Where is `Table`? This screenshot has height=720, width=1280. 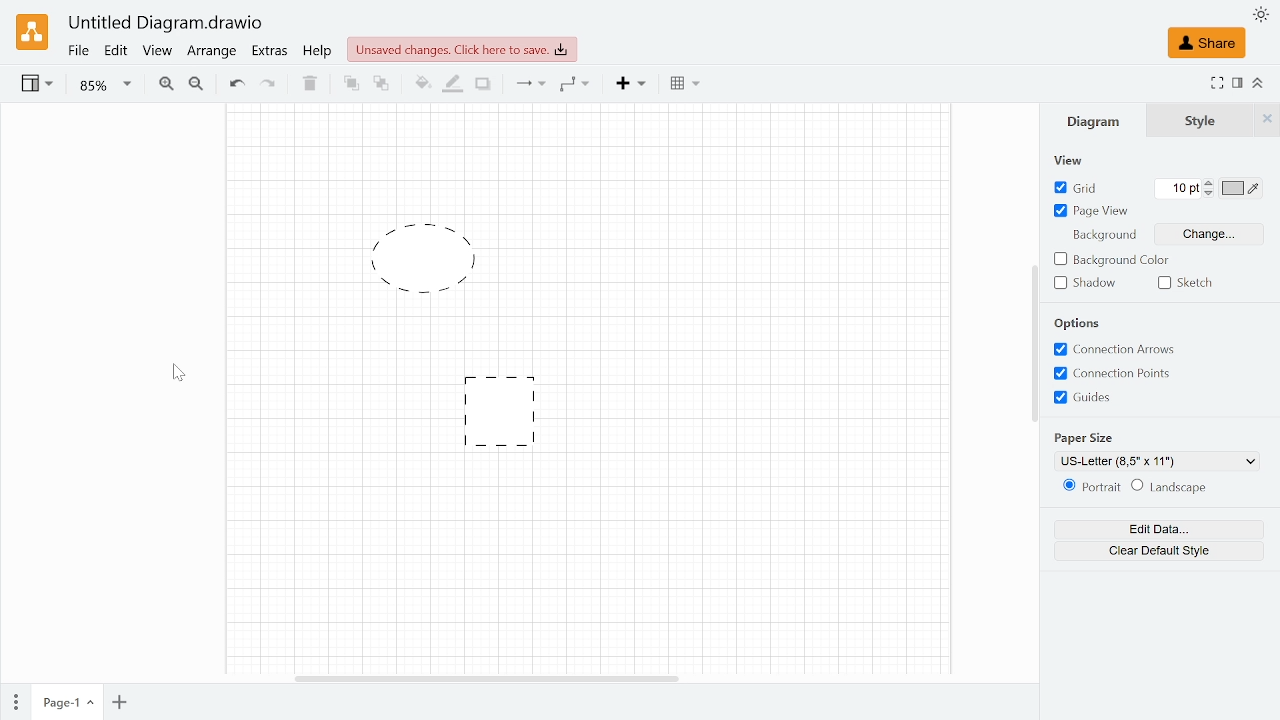 Table is located at coordinates (685, 86).